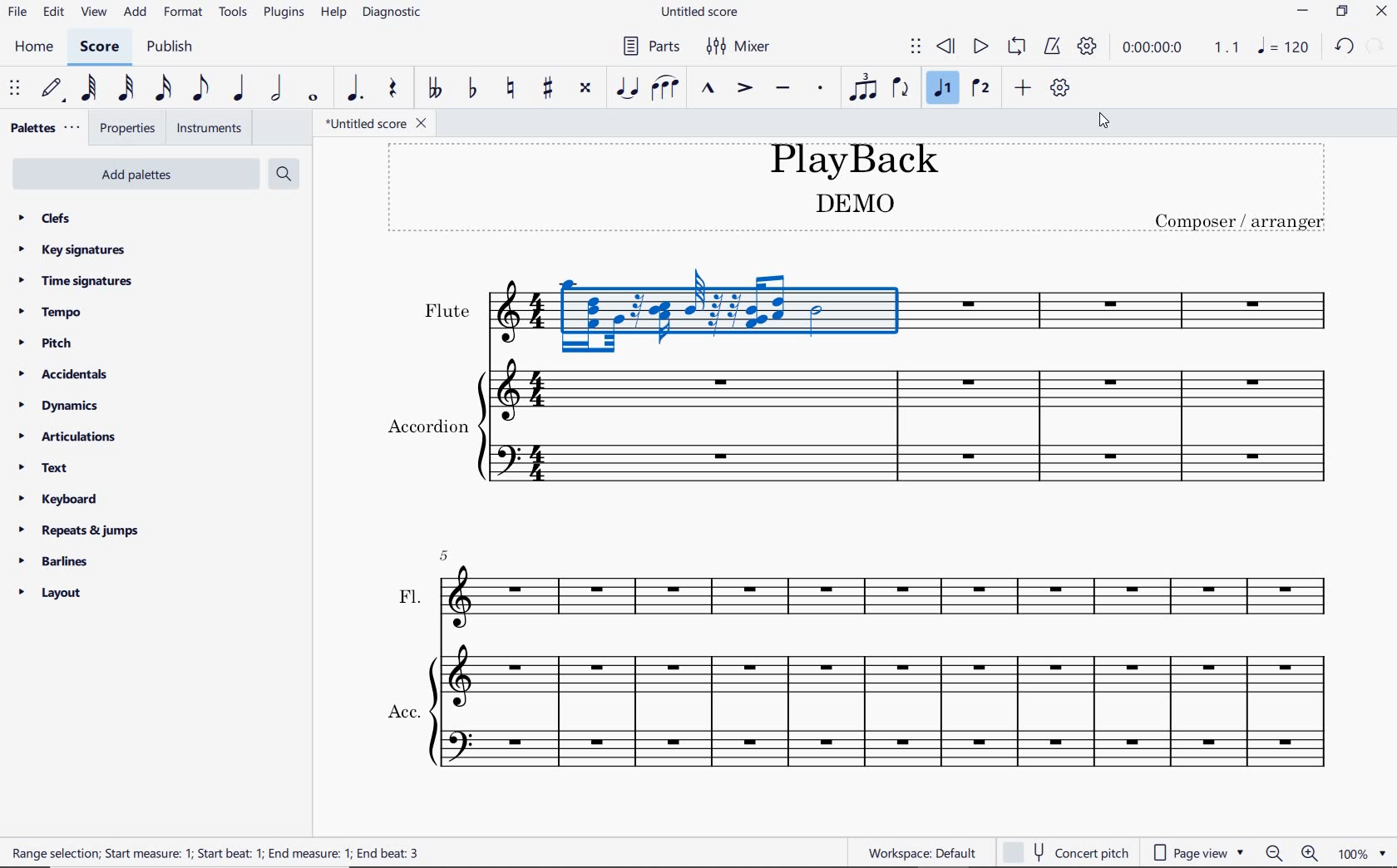 Image resolution: width=1397 pixels, height=868 pixels. I want to click on toggle flat, so click(471, 88).